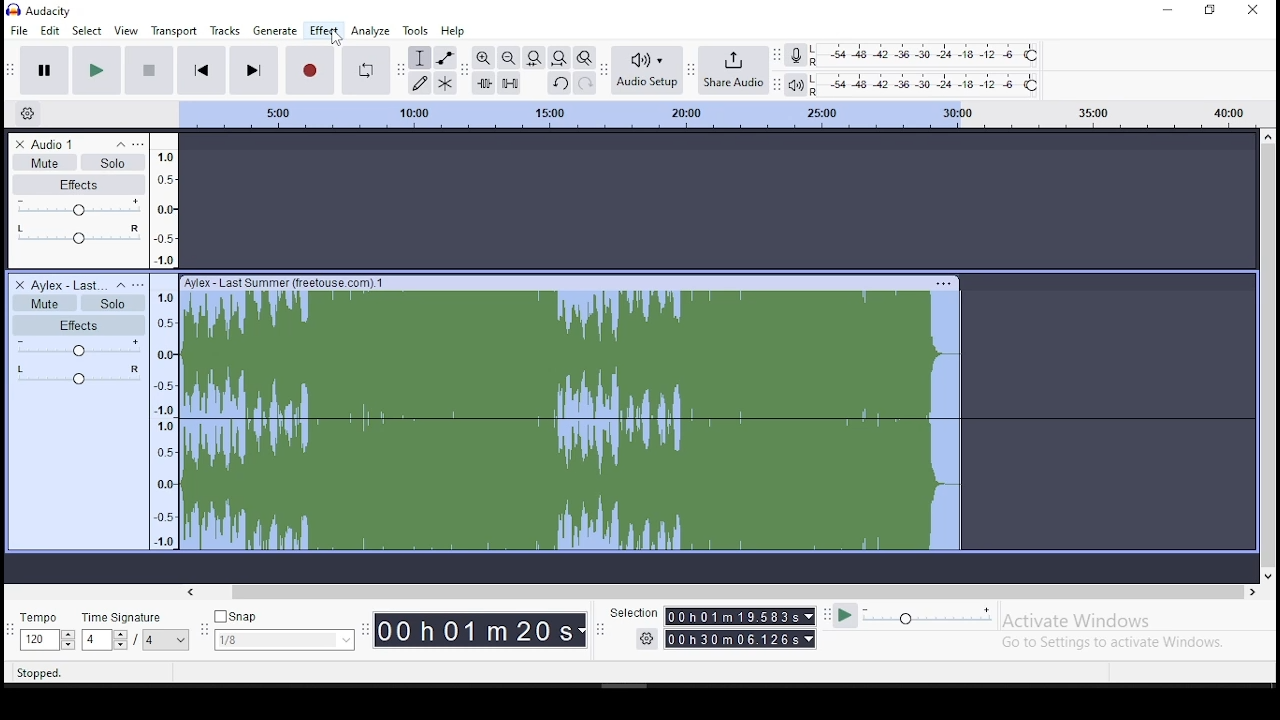 The height and width of the screenshot is (720, 1280). I want to click on audio track, so click(574, 416).